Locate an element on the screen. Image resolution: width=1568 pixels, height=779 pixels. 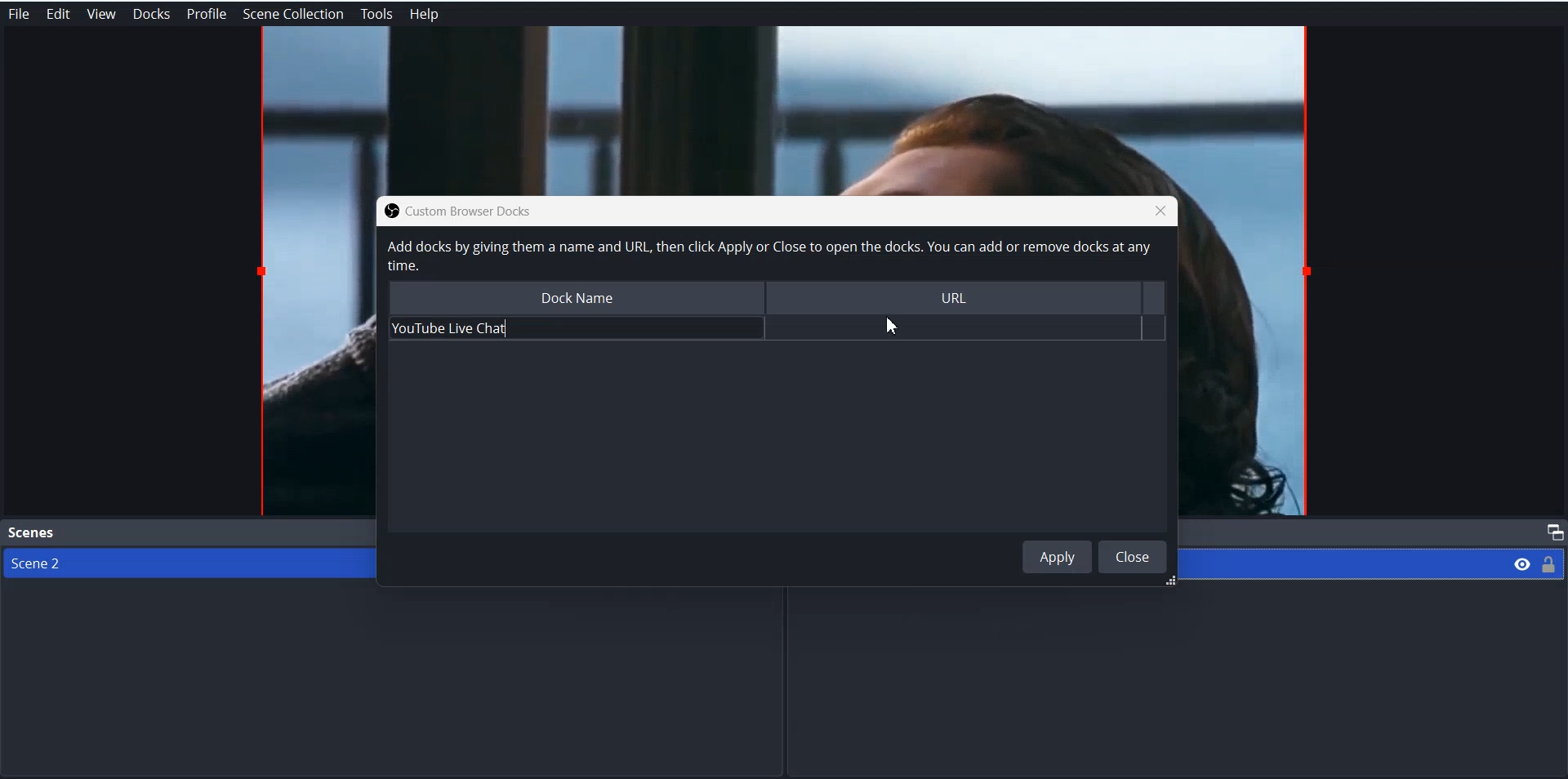
Eye is located at coordinates (1522, 563).